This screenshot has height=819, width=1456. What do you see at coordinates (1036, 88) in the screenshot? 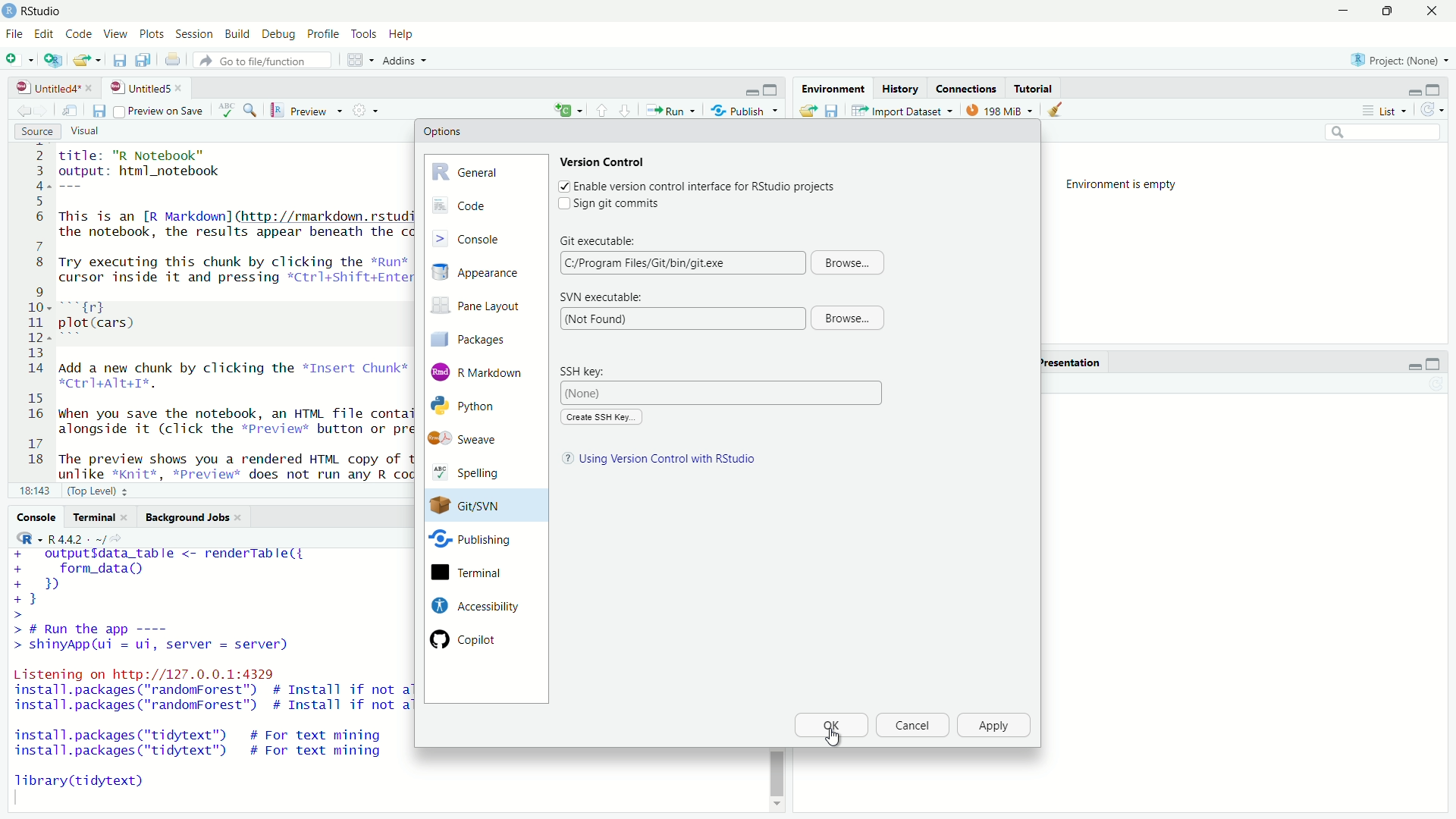
I see `Tutorial` at bounding box center [1036, 88].